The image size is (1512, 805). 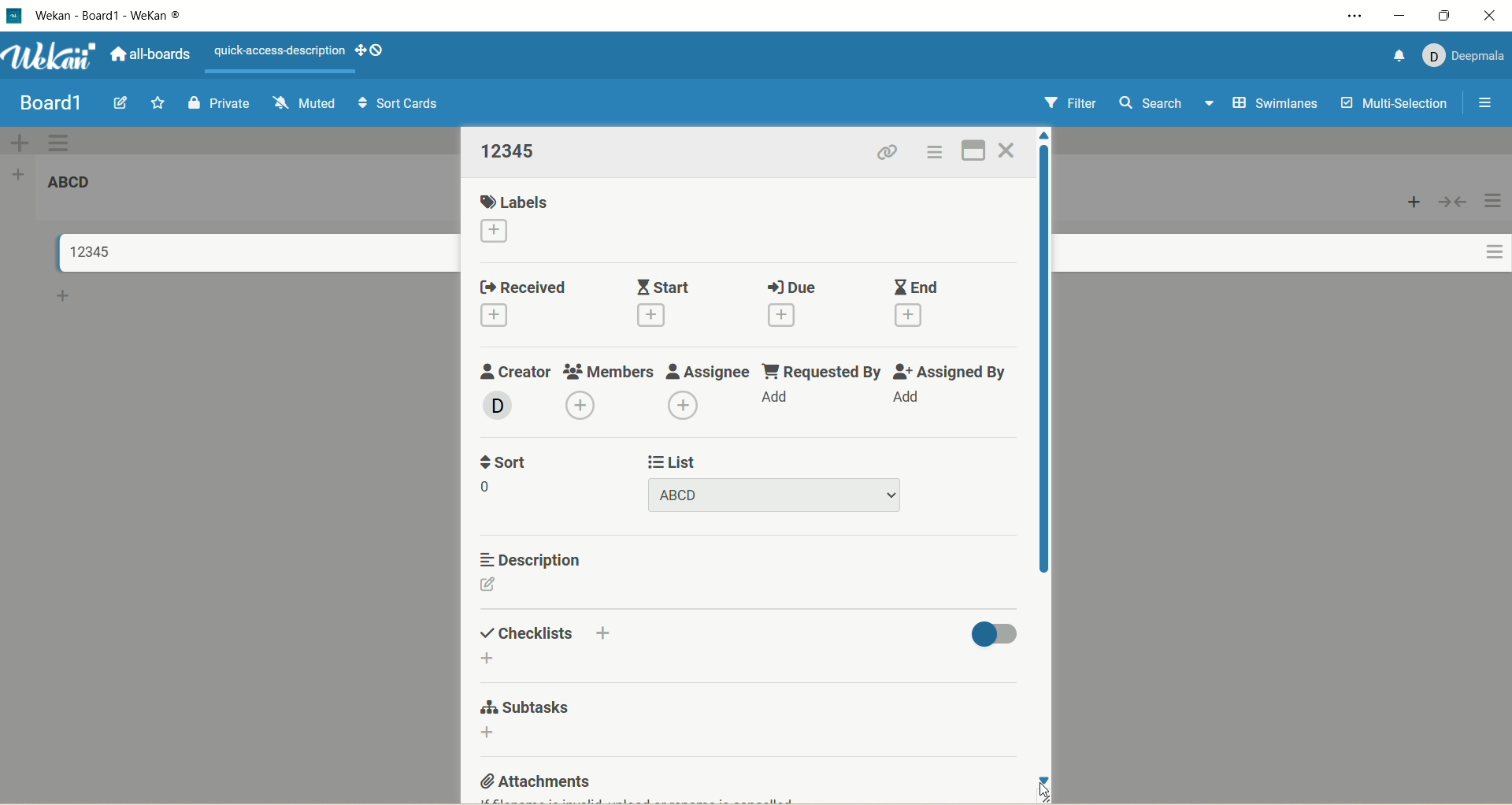 What do you see at coordinates (1490, 15) in the screenshot?
I see `close` at bounding box center [1490, 15].